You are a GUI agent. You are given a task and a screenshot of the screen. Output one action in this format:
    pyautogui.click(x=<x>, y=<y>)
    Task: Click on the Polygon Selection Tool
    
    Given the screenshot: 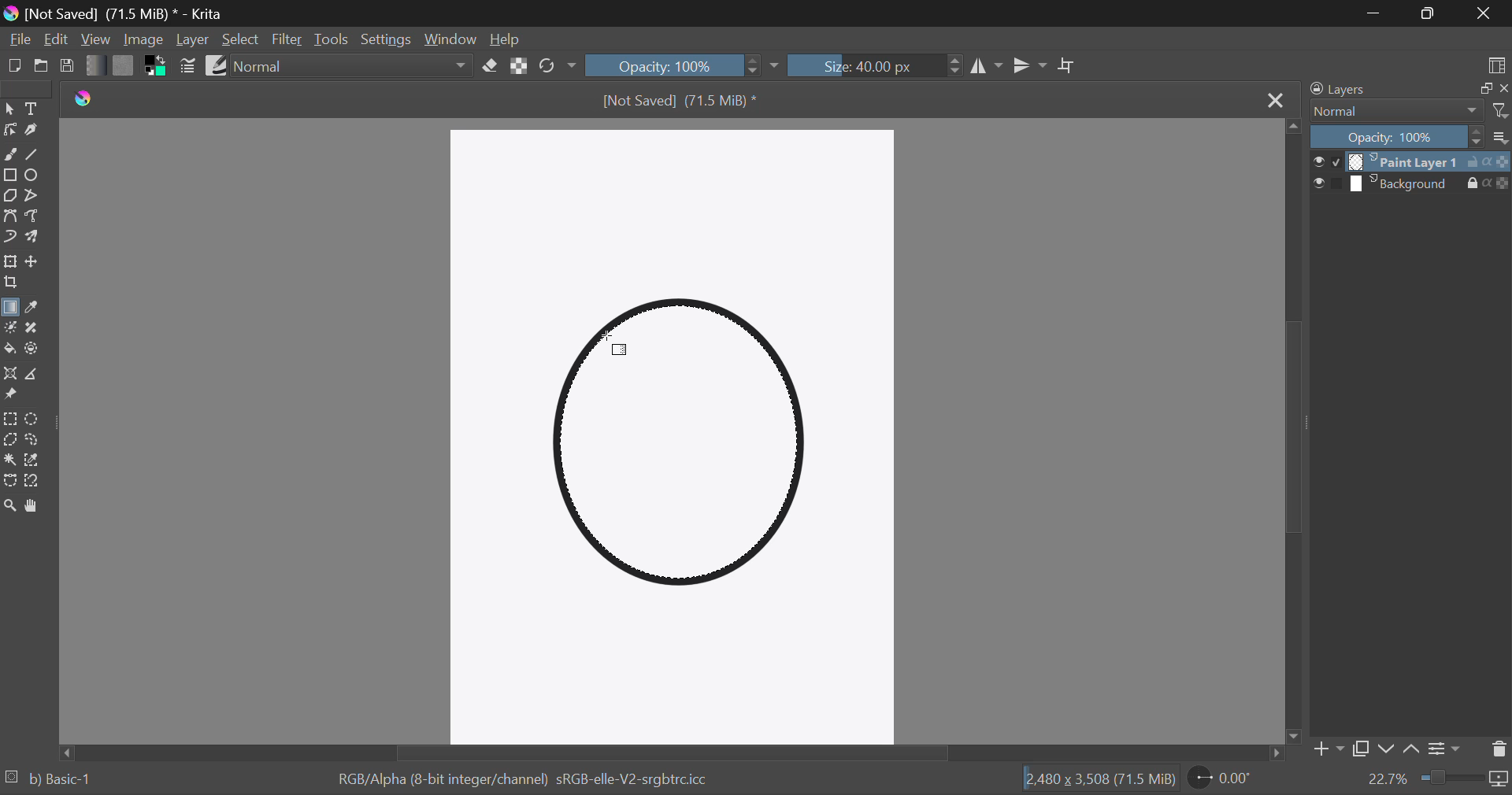 What is the action you would take?
    pyautogui.click(x=9, y=439)
    